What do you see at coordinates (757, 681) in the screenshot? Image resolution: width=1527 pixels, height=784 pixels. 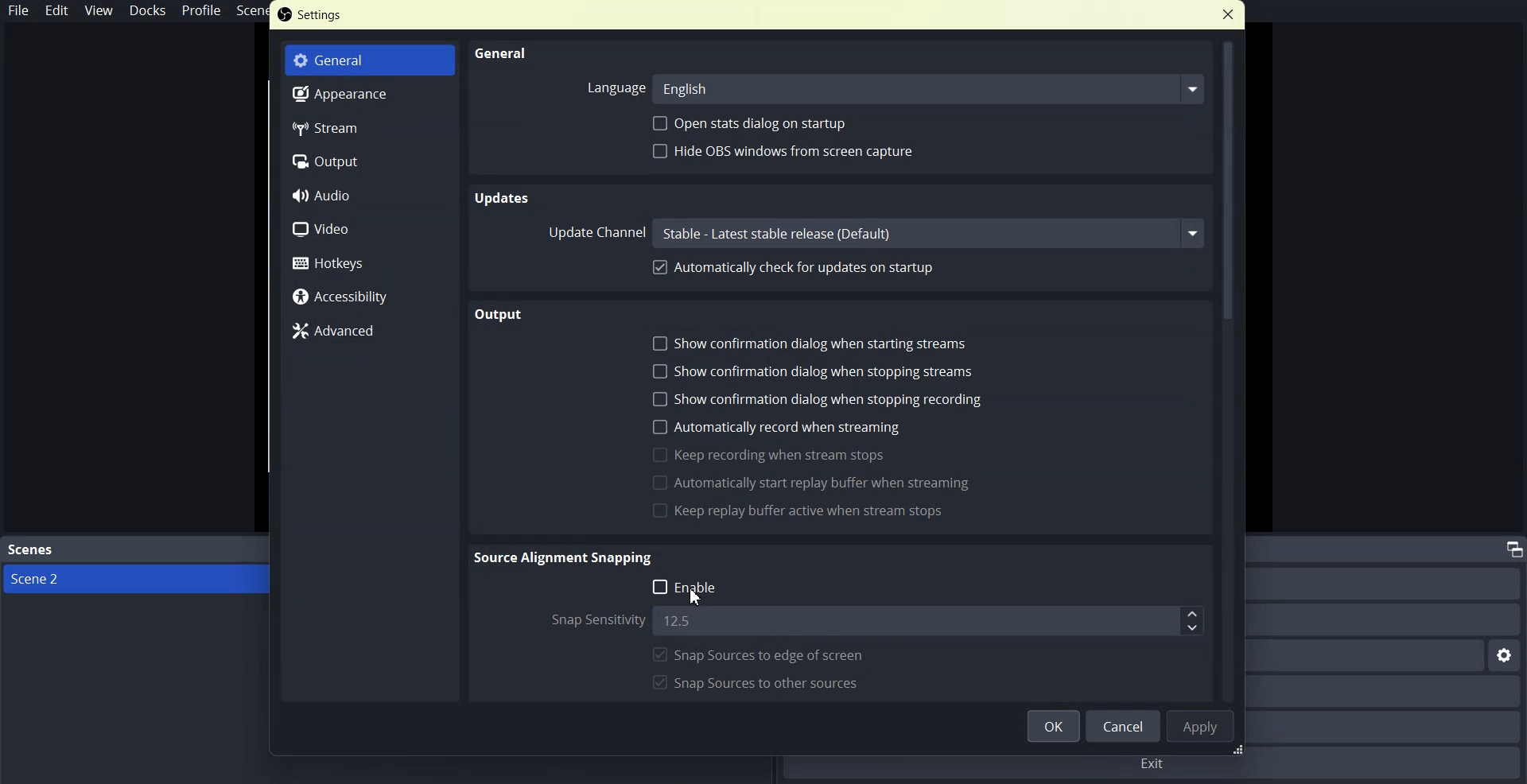 I see `Snapshots to order sources` at bounding box center [757, 681].